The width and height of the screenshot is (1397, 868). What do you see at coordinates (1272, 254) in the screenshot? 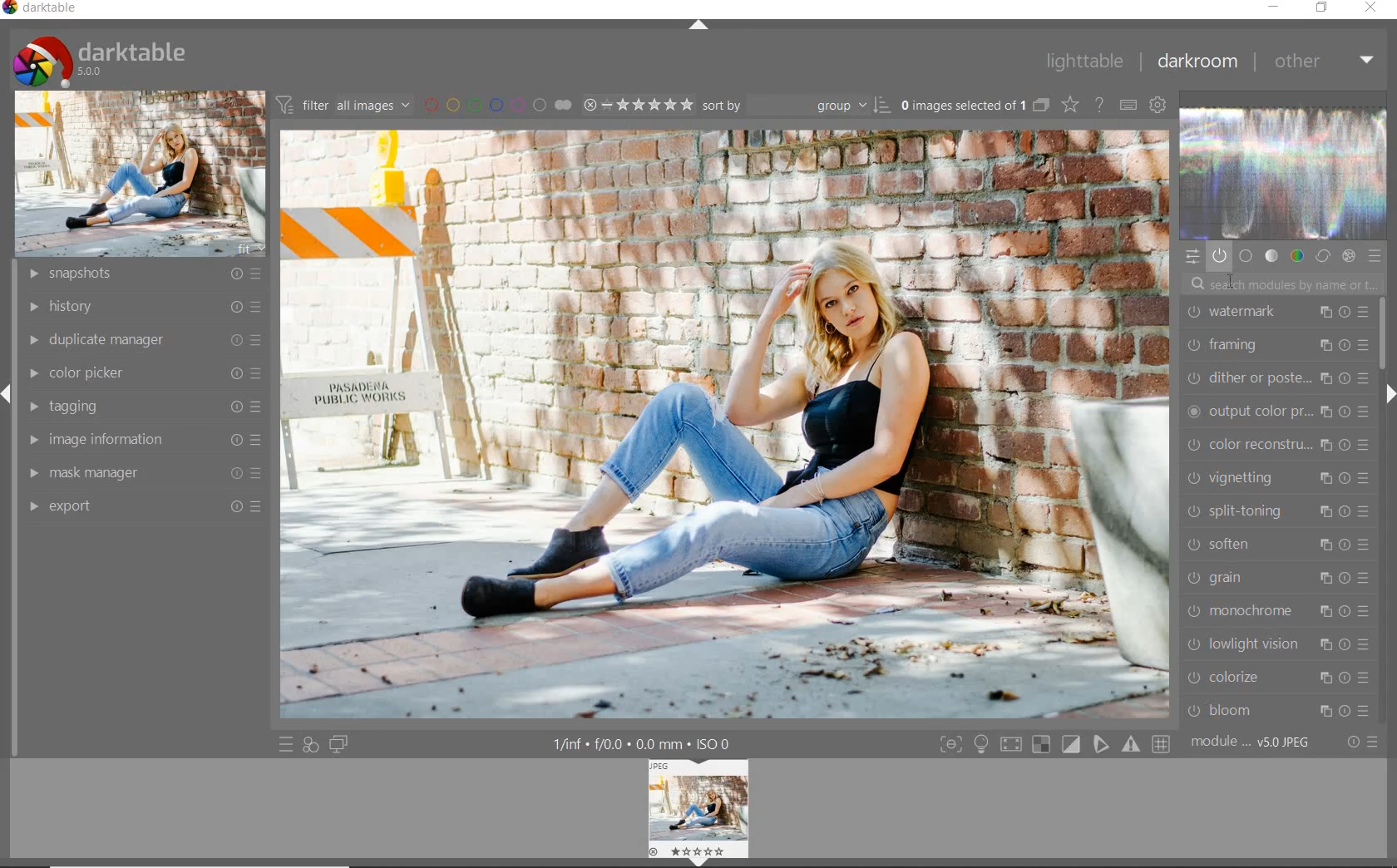
I see `tone` at bounding box center [1272, 254].